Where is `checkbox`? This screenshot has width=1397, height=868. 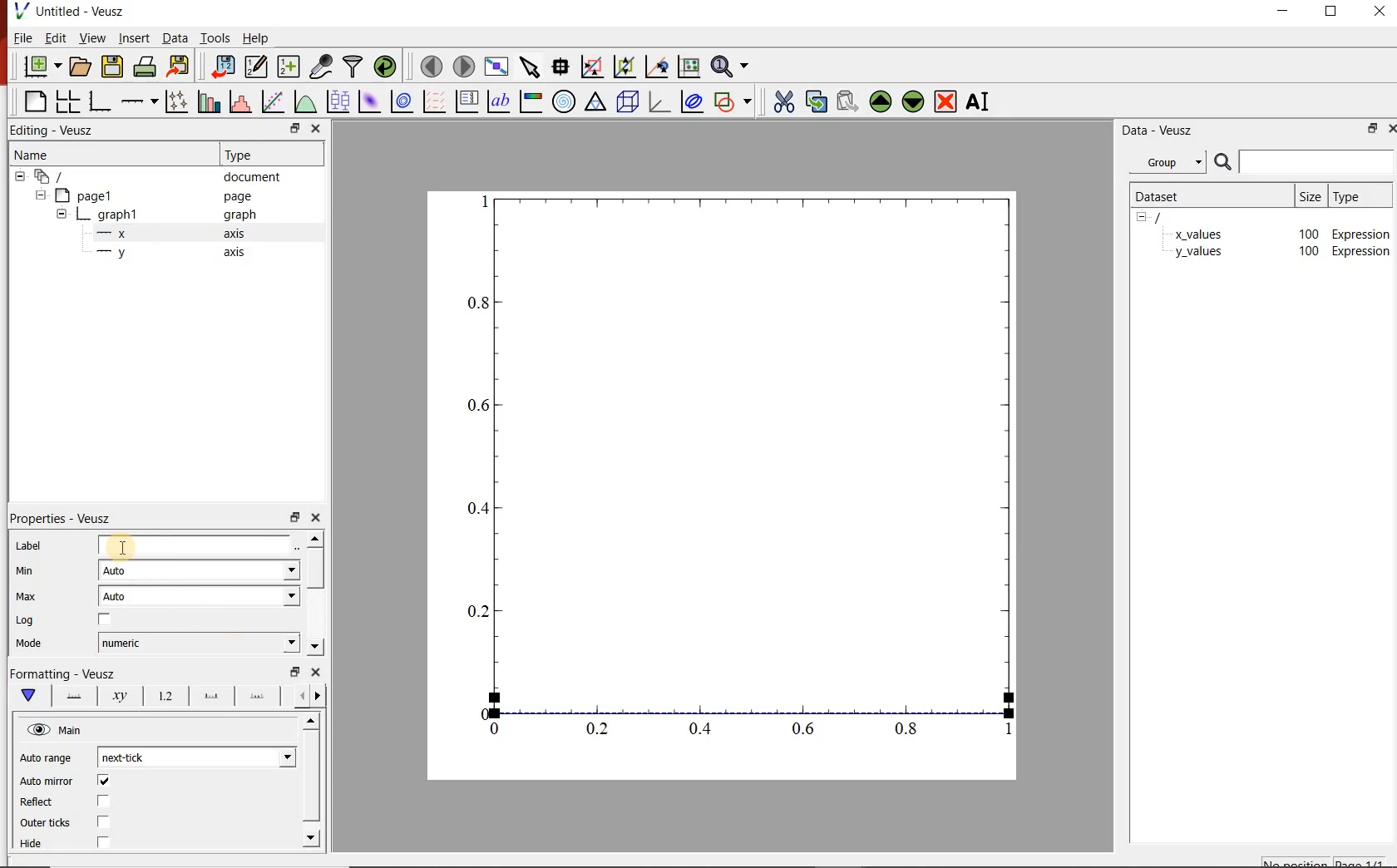
checkbox is located at coordinates (105, 779).